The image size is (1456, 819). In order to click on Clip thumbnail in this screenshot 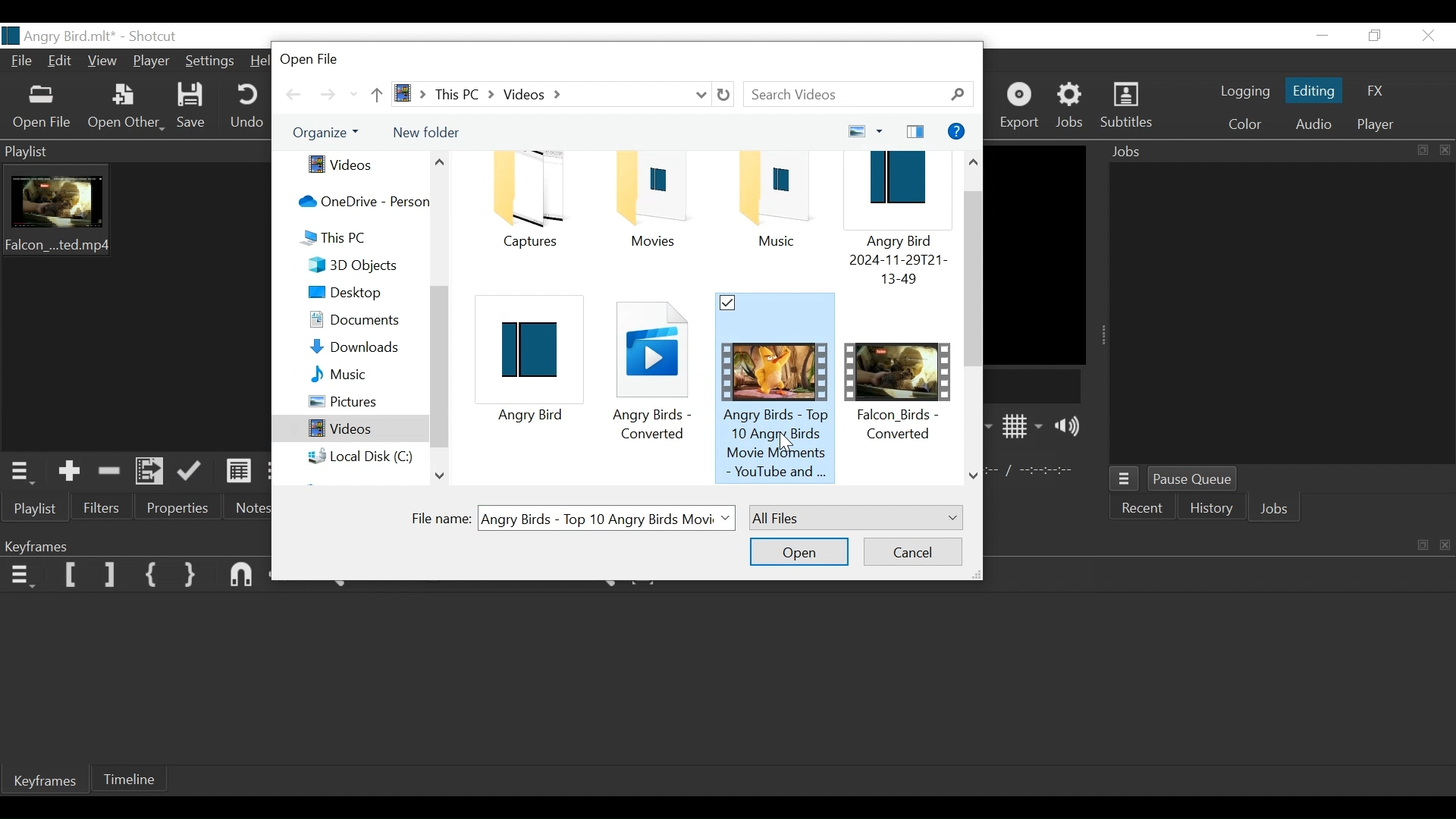, I will do `click(68, 221)`.